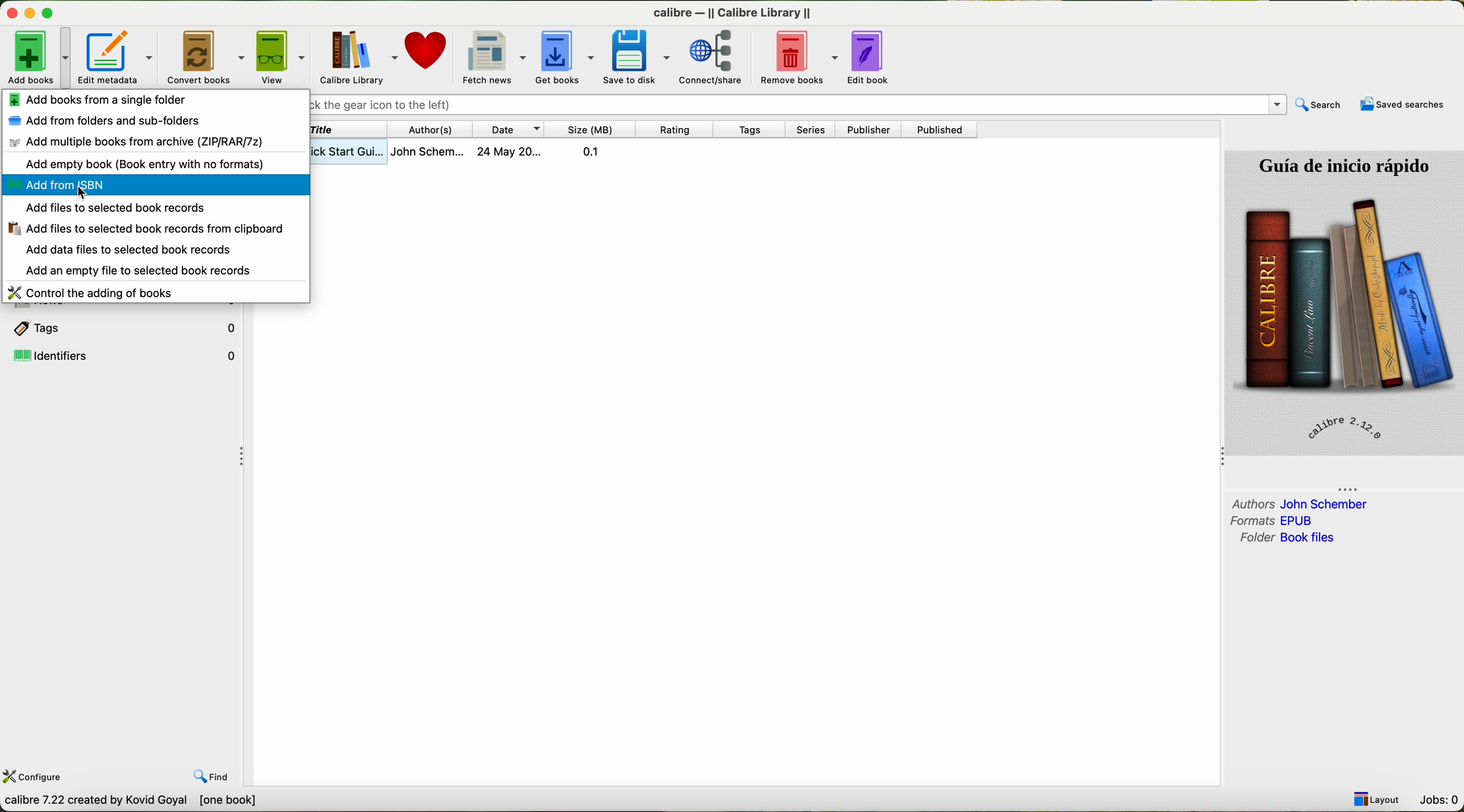  What do you see at coordinates (360, 56) in the screenshot?
I see `Calibre library` at bounding box center [360, 56].